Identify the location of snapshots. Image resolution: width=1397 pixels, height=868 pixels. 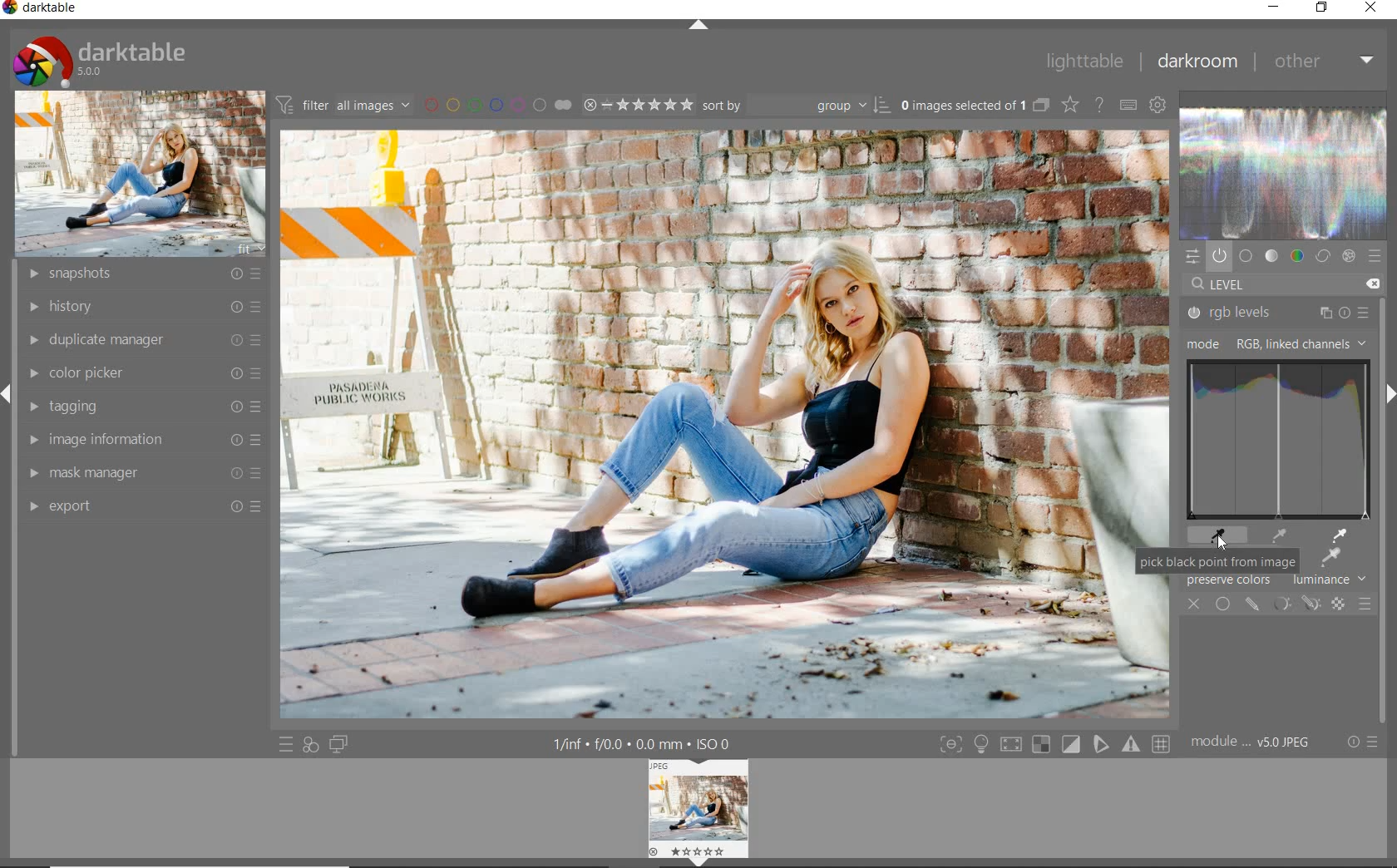
(143, 274).